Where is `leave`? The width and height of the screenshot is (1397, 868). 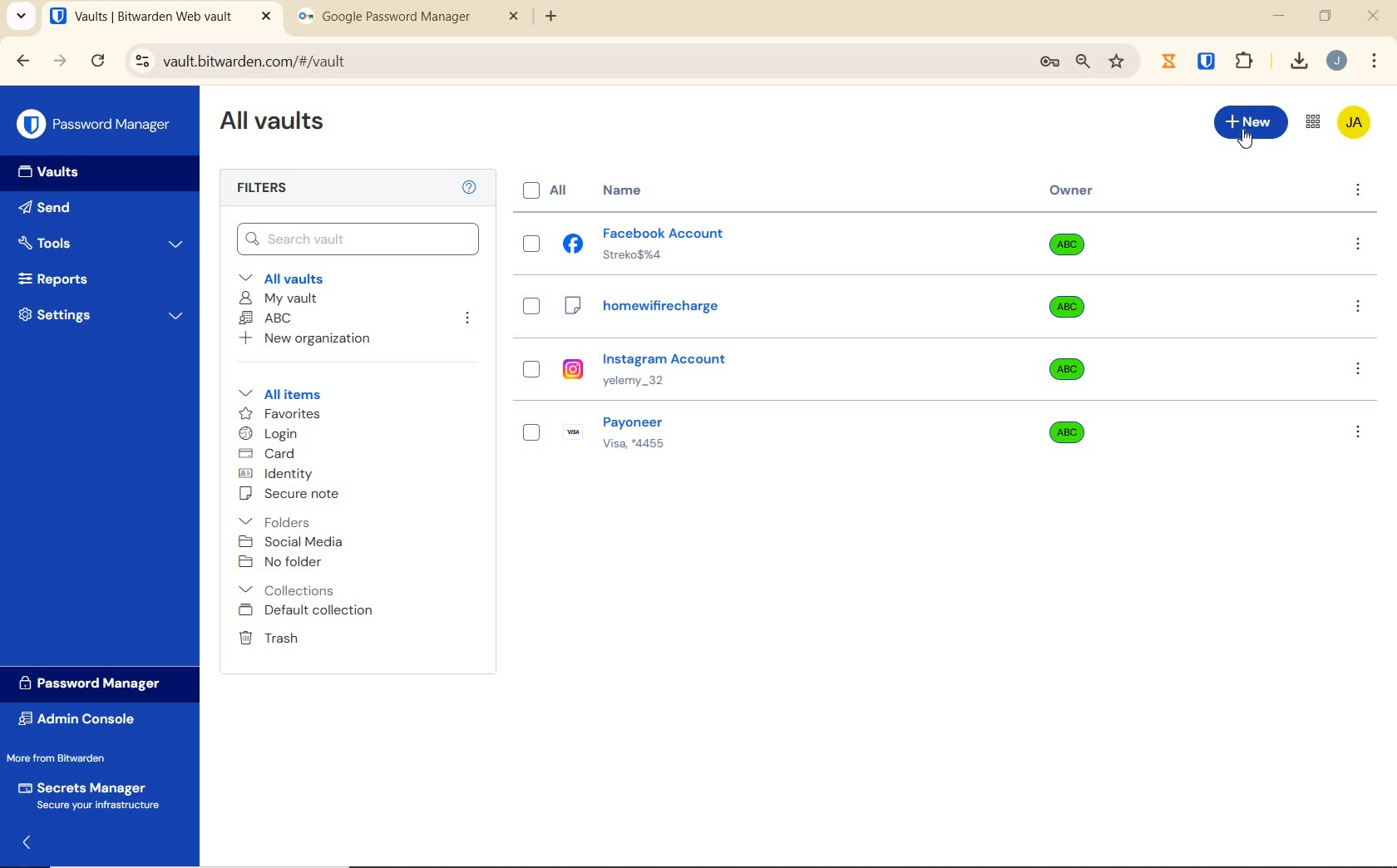 leave is located at coordinates (466, 319).